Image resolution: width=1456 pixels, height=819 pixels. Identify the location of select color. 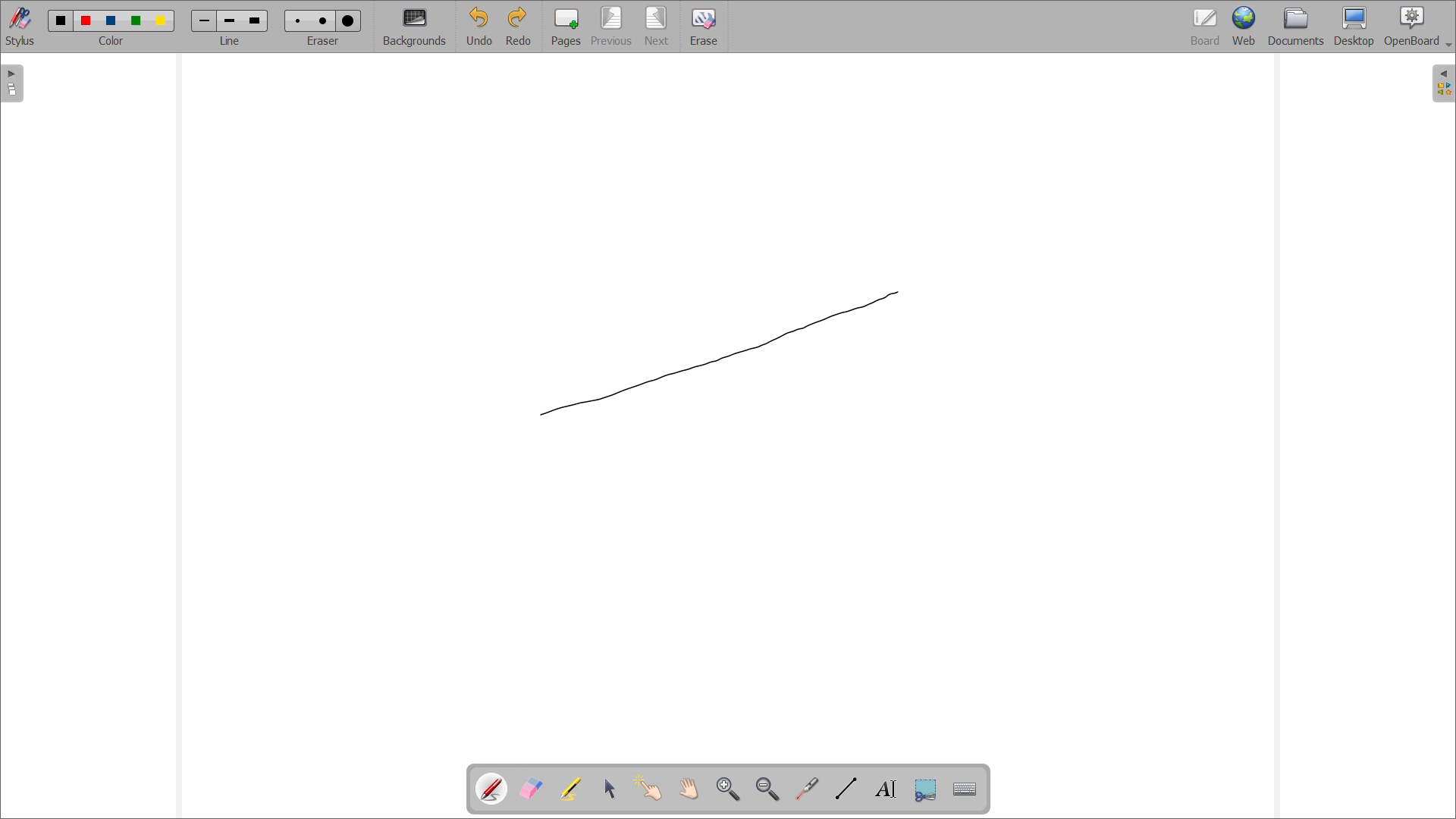
(110, 41).